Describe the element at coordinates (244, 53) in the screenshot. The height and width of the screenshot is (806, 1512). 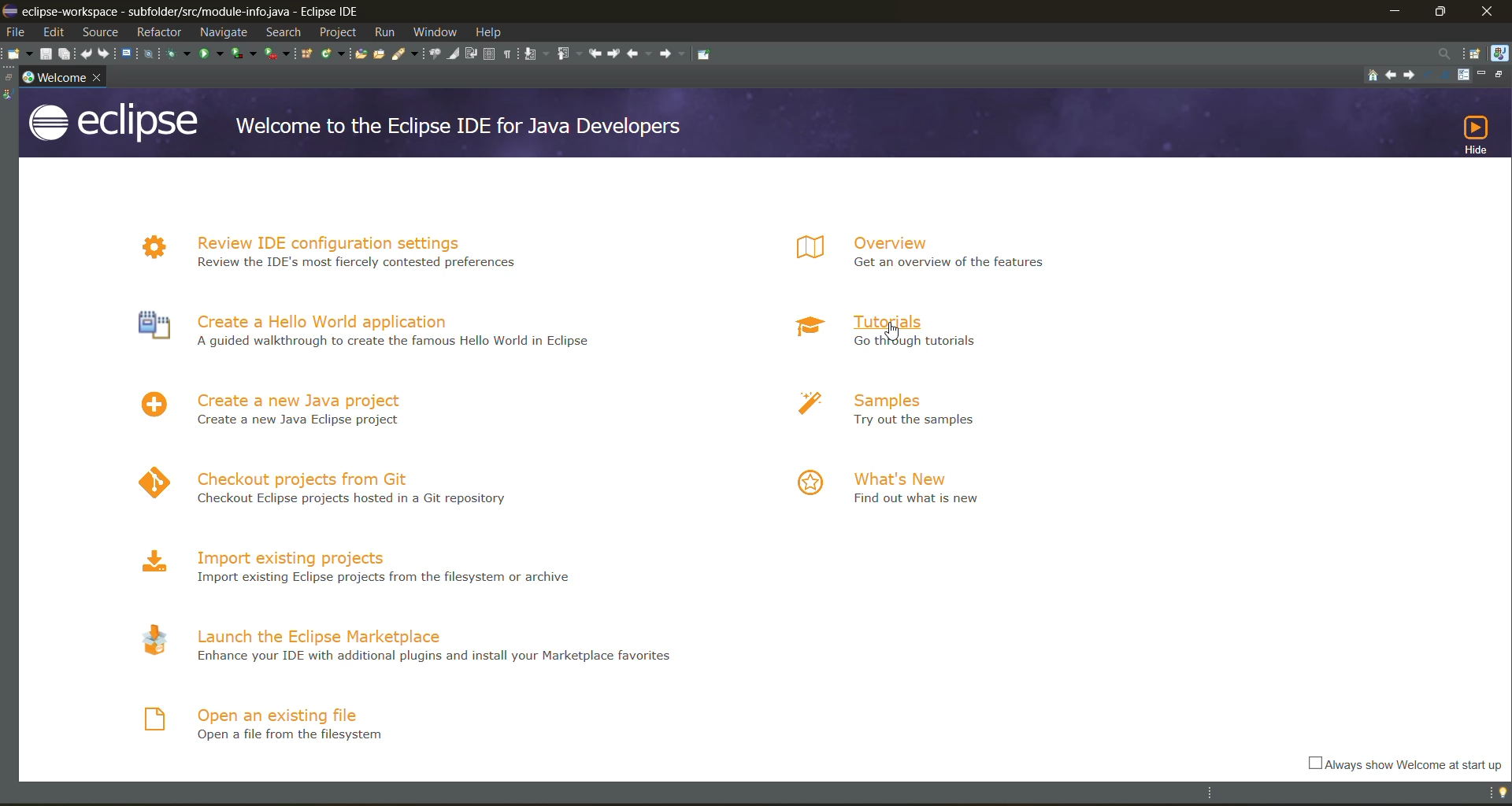
I see `coverage` at that location.